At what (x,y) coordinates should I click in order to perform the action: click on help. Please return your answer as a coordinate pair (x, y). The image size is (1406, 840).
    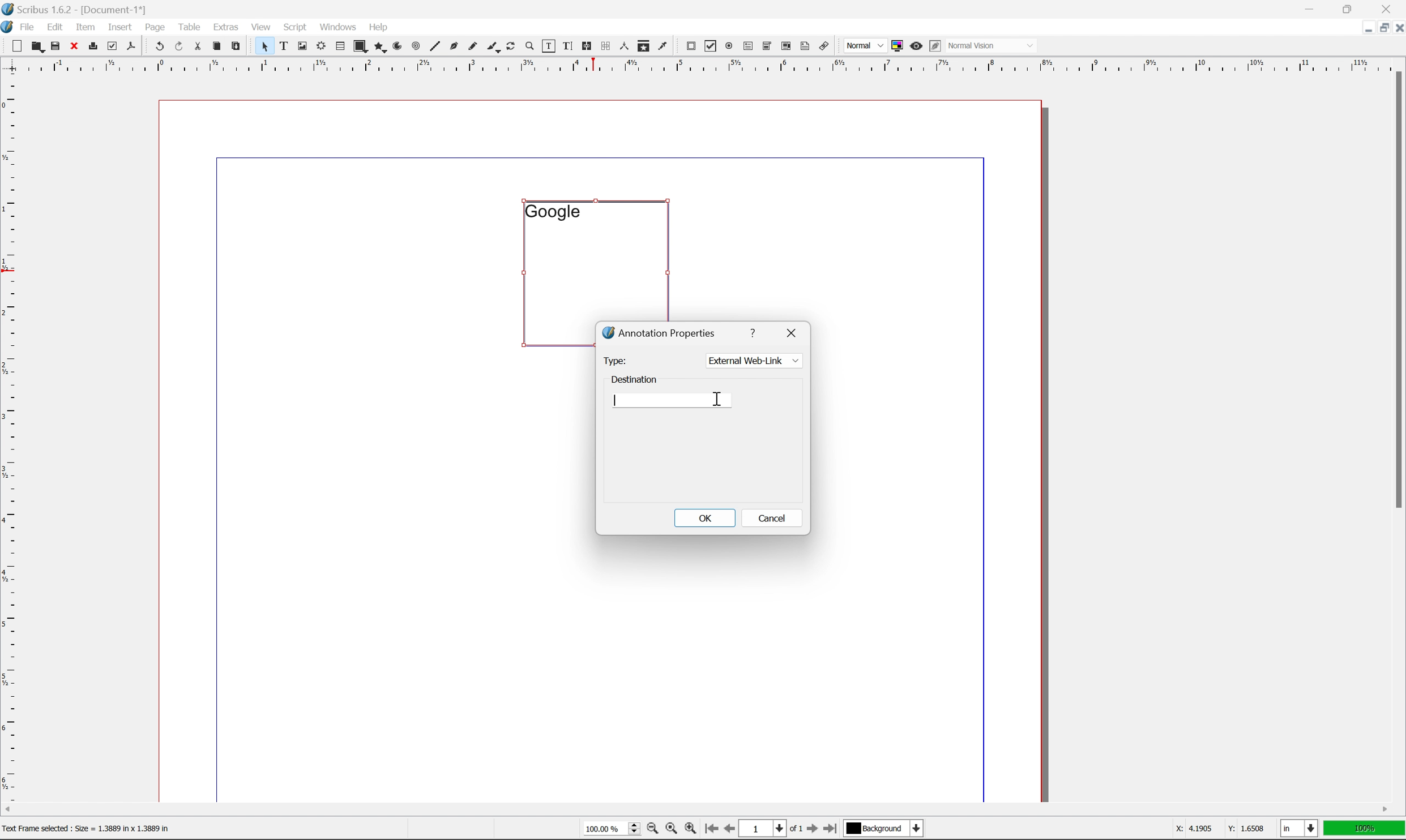
    Looking at the image, I should click on (378, 27).